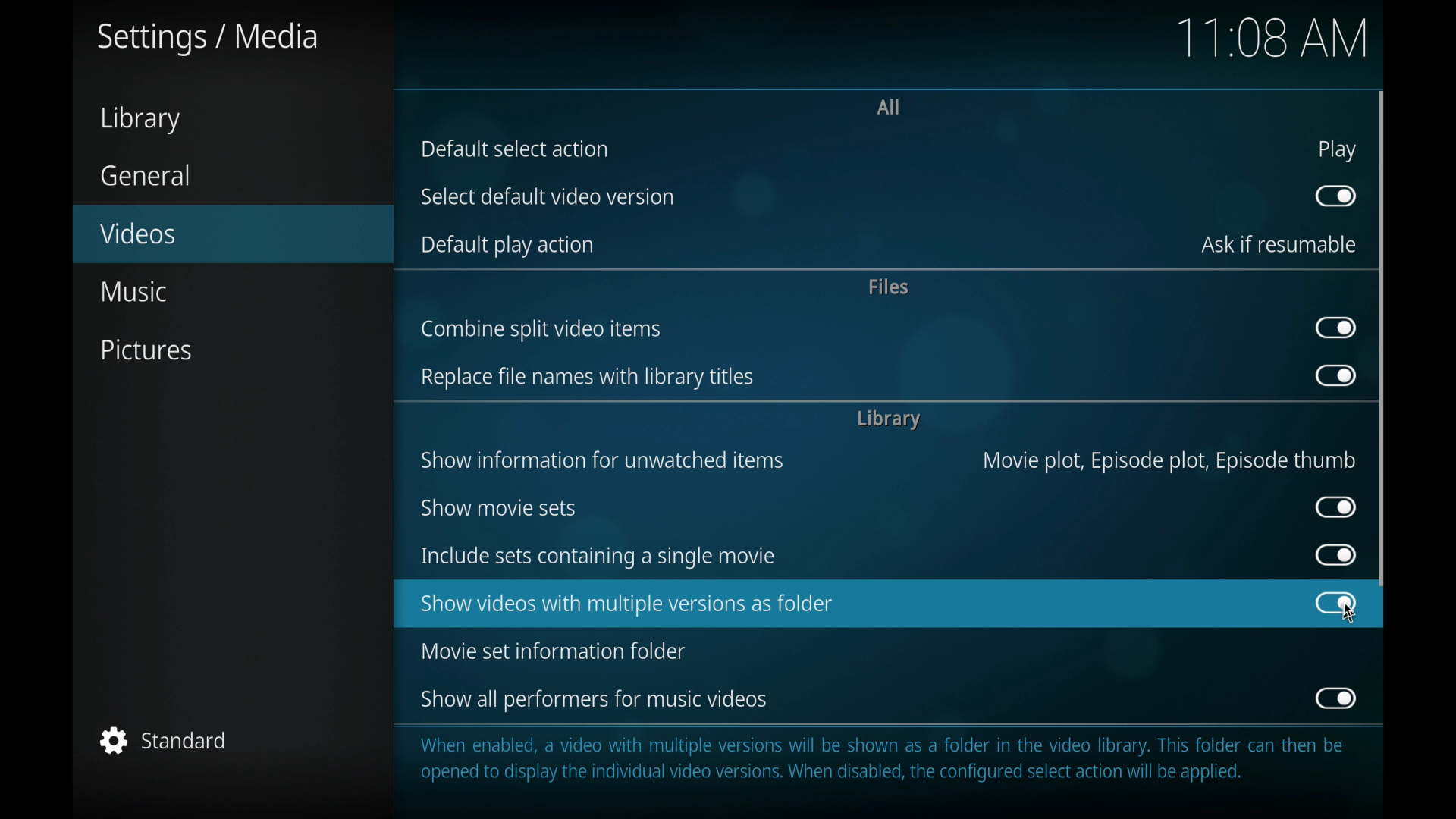 The width and height of the screenshot is (1456, 819). What do you see at coordinates (140, 120) in the screenshot?
I see `library` at bounding box center [140, 120].